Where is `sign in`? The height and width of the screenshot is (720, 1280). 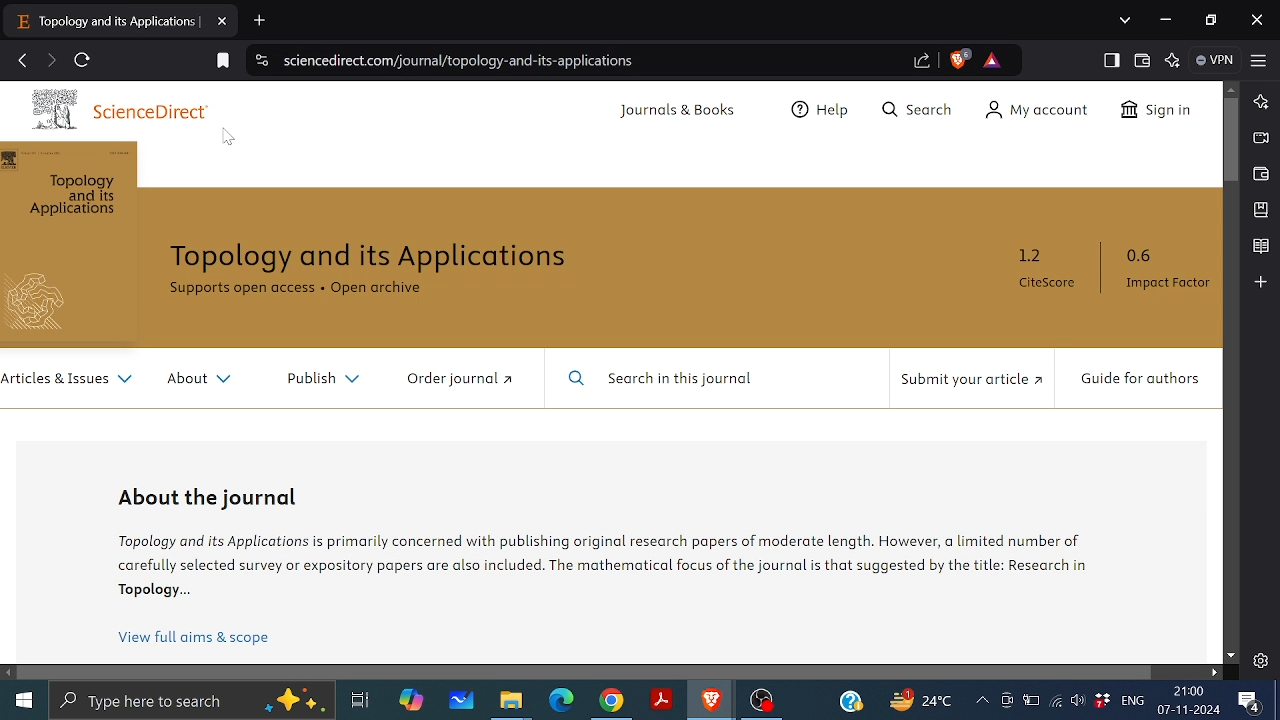 sign in is located at coordinates (1158, 111).